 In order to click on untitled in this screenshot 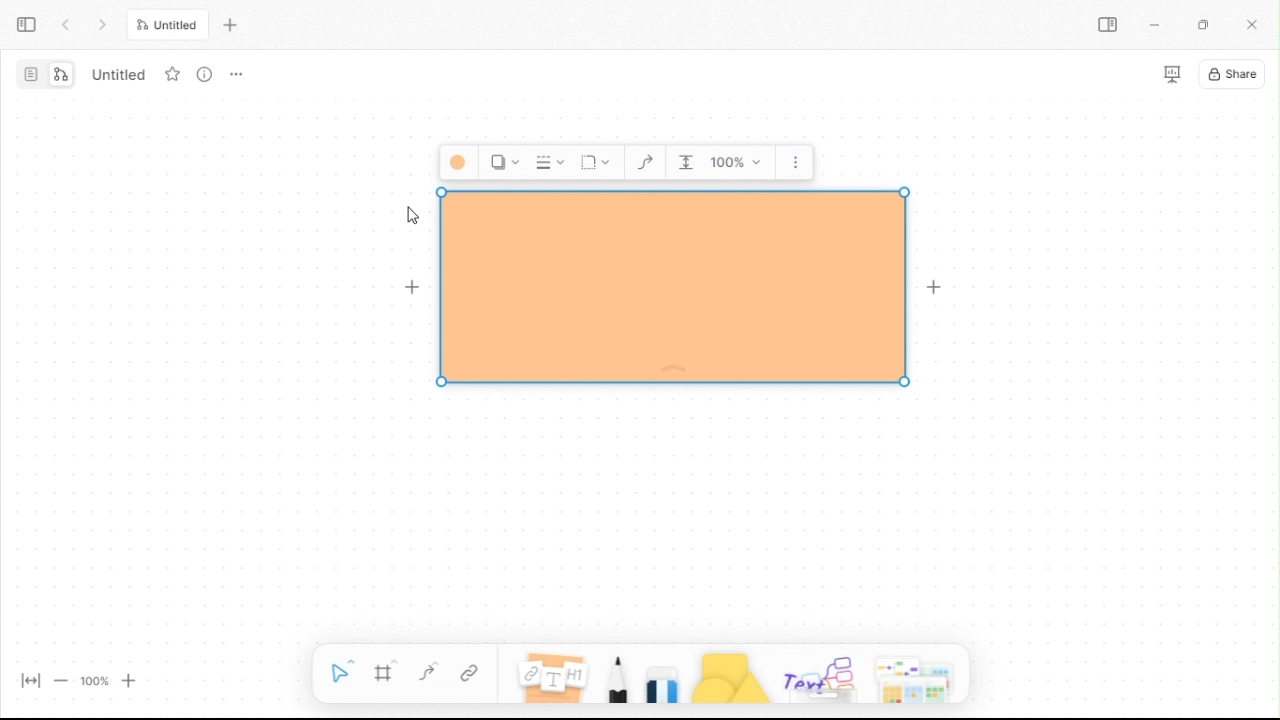, I will do `click(117, 73)`.